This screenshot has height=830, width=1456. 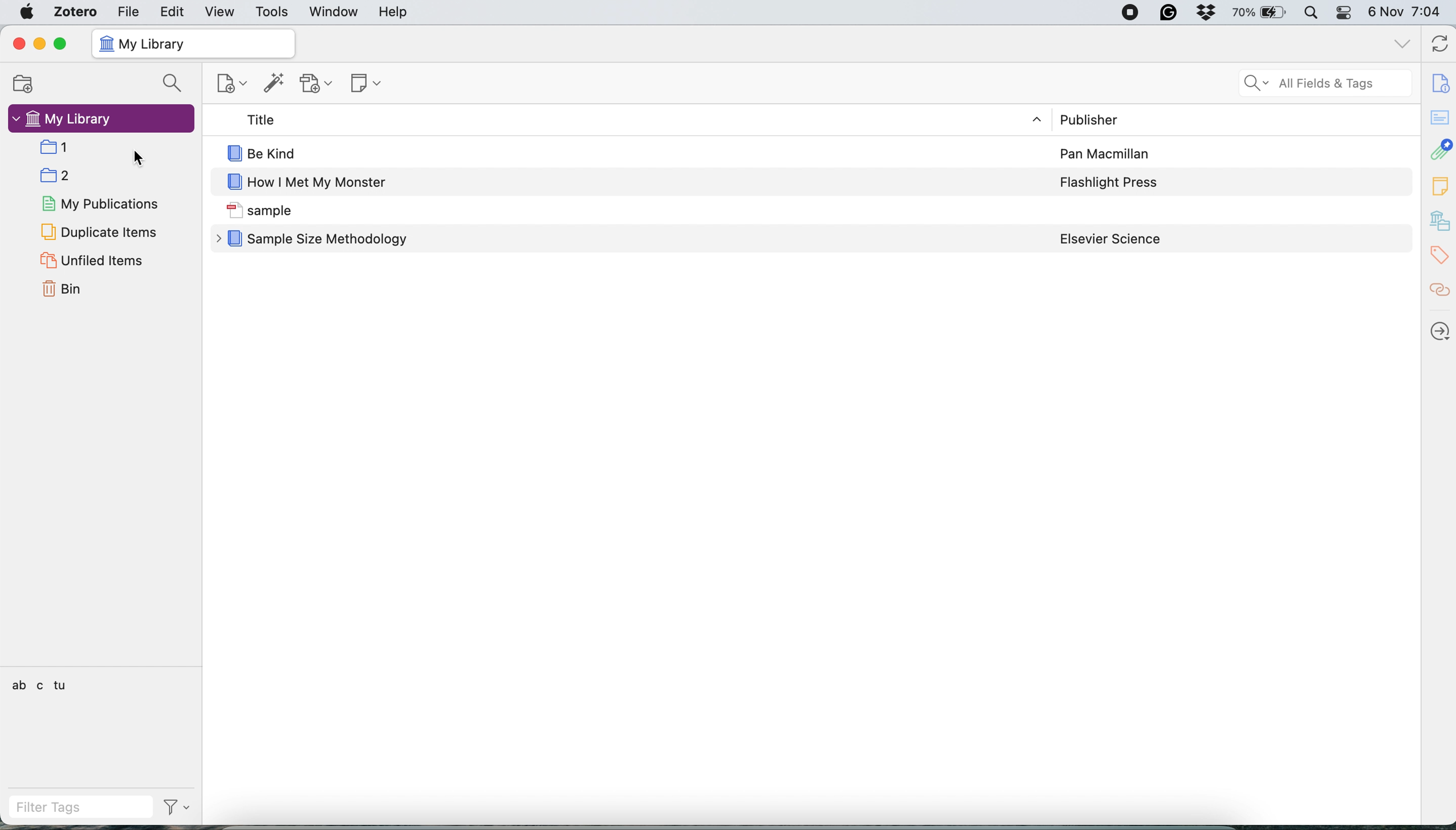 What do you see at coordinates (256, 120) in the screenshot?
I see `title` at bounding box center [256, 120].